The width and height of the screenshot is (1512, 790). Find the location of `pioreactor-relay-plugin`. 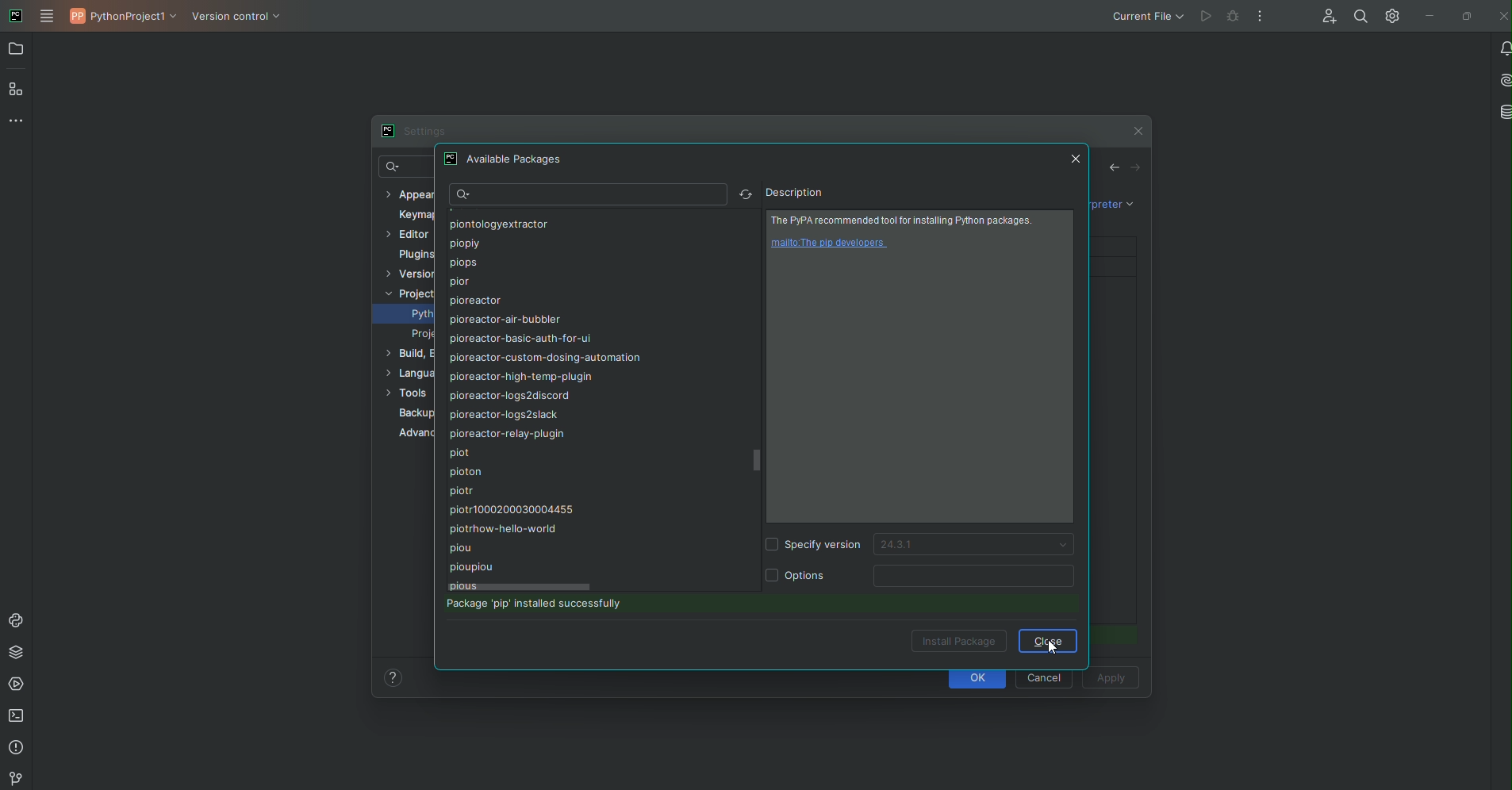

pioreactor-relay-plugin is located at coordinates (504, 435).